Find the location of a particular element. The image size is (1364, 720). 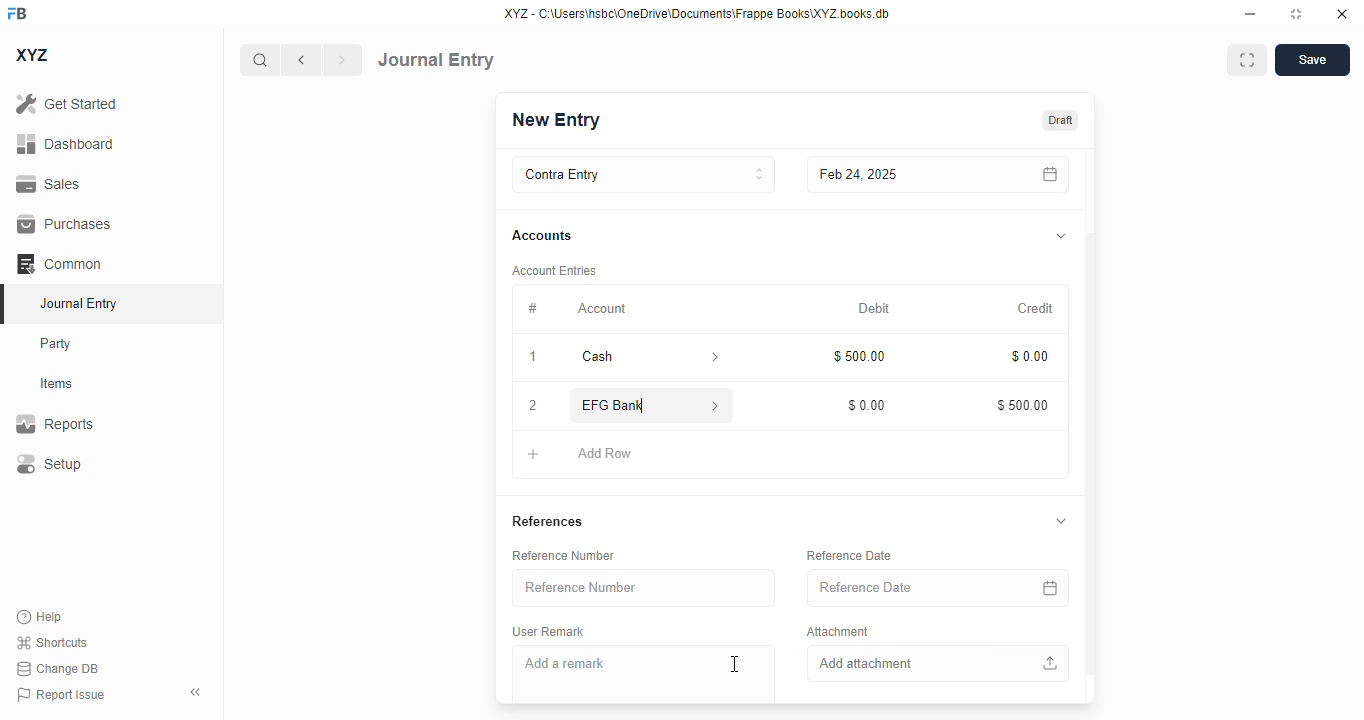

calendar icon is located at coordinates (1046, 175).